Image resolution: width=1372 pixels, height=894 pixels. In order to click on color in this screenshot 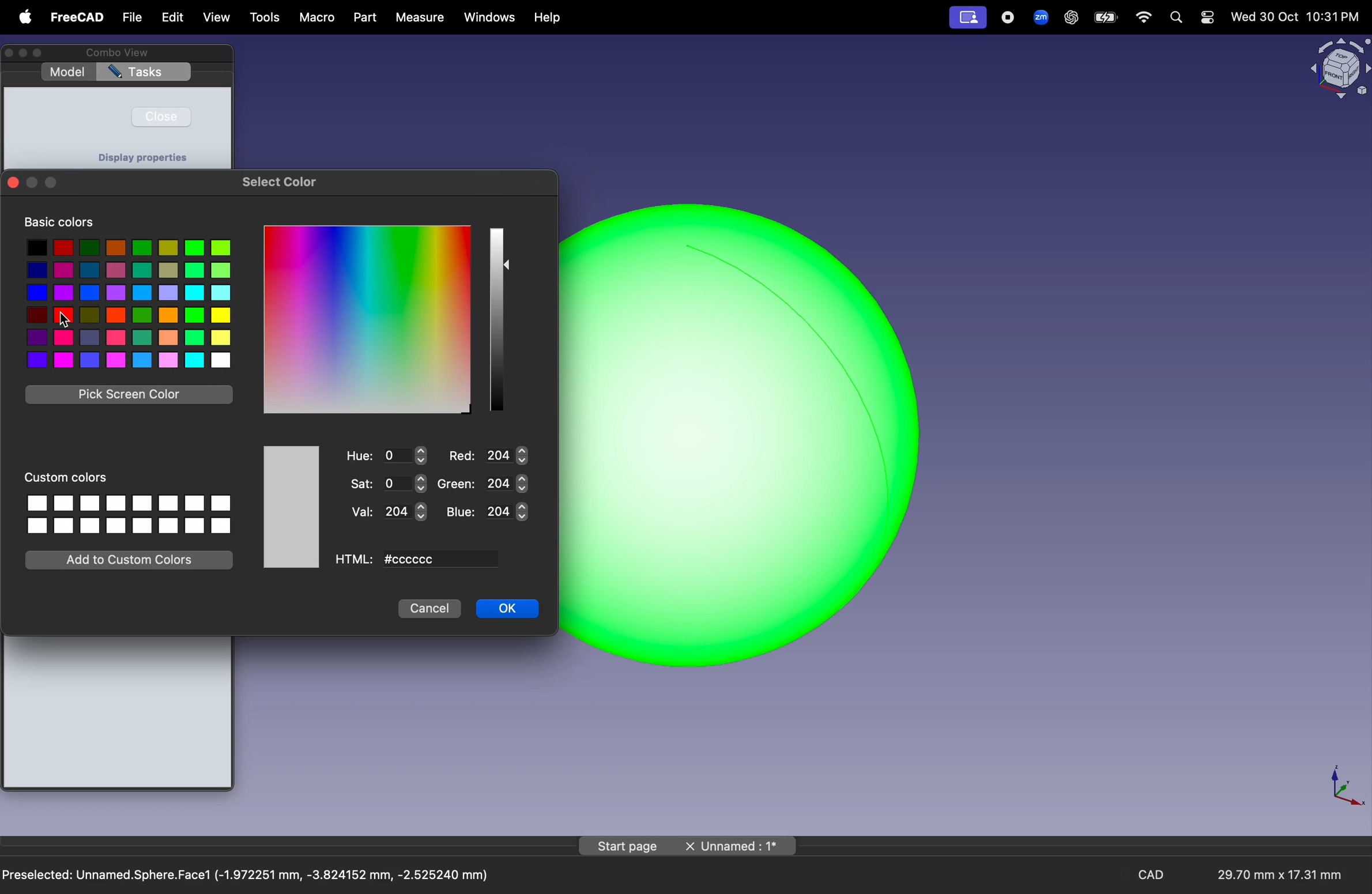, I will do `click(293, 507)`.